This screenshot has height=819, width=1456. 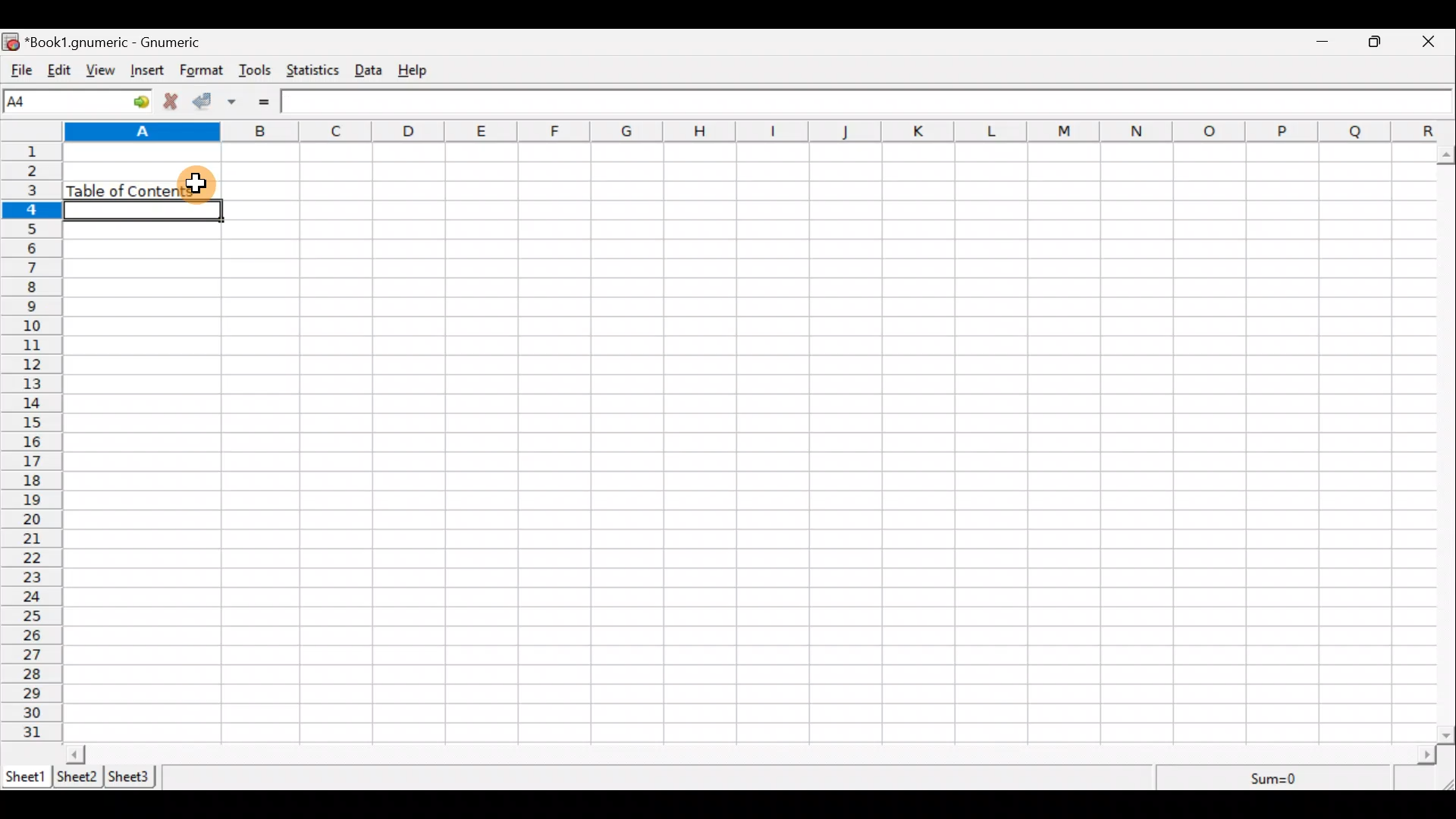 I want to click on Help, so click(x=420, y=71).